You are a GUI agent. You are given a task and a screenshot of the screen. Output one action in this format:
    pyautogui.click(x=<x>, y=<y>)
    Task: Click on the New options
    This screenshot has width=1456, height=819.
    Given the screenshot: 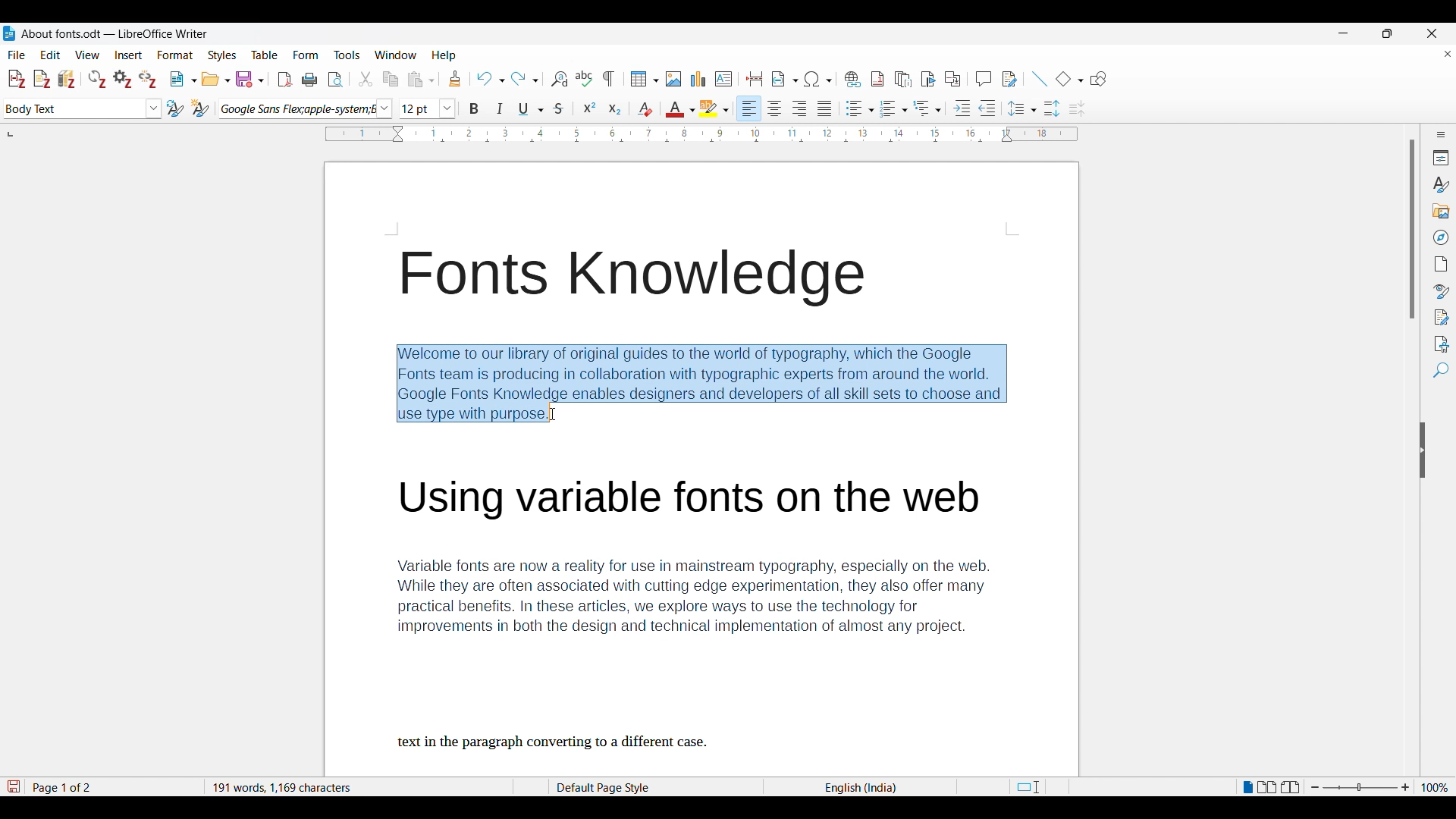 What is the action you would take?
    pyautogui.click(x=184, y=79)
    